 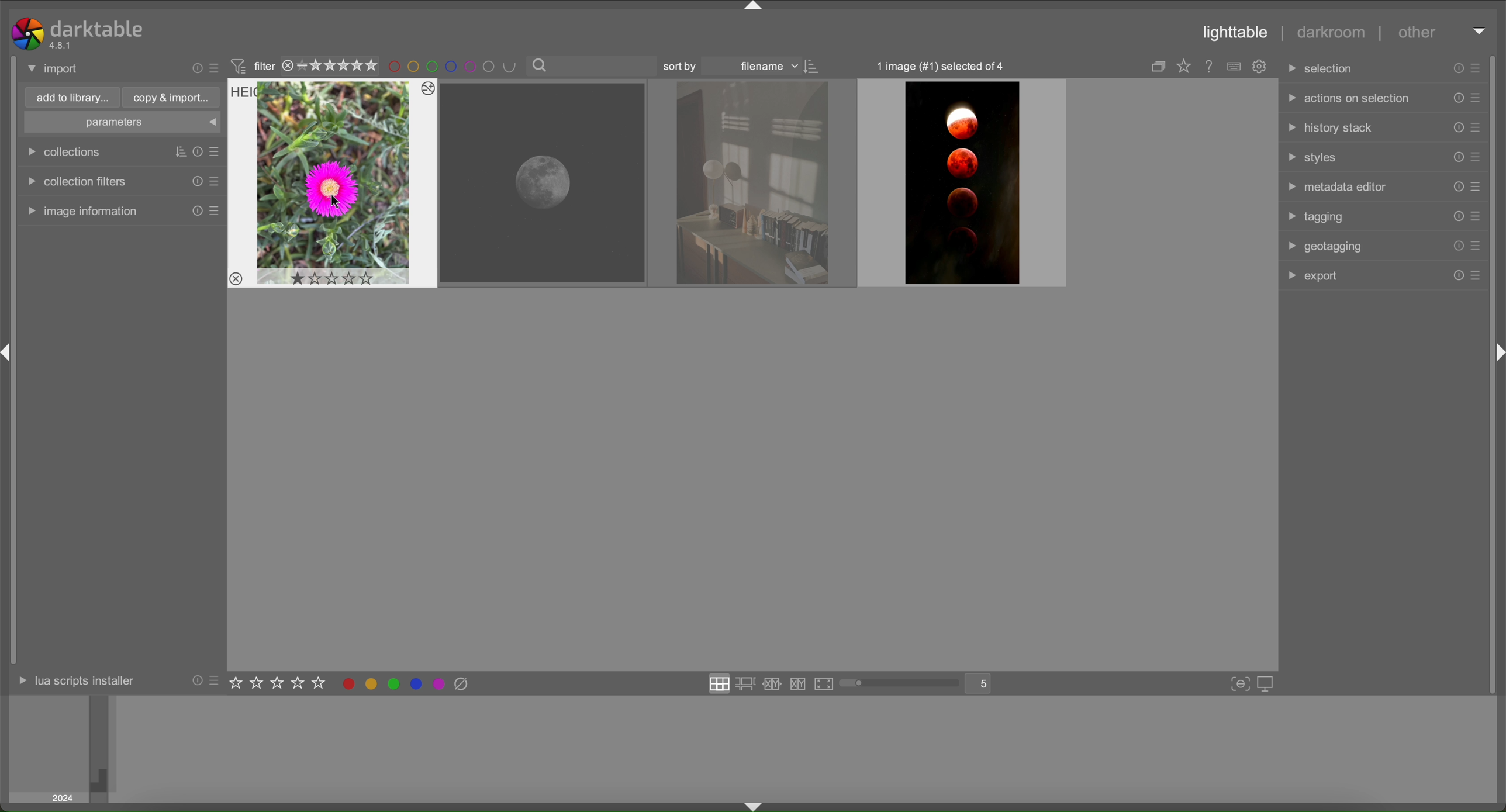 What do you see at coordinates (1314, 156) in the screenshot?
I see `styles tab` at bounding box center [1314, 156].